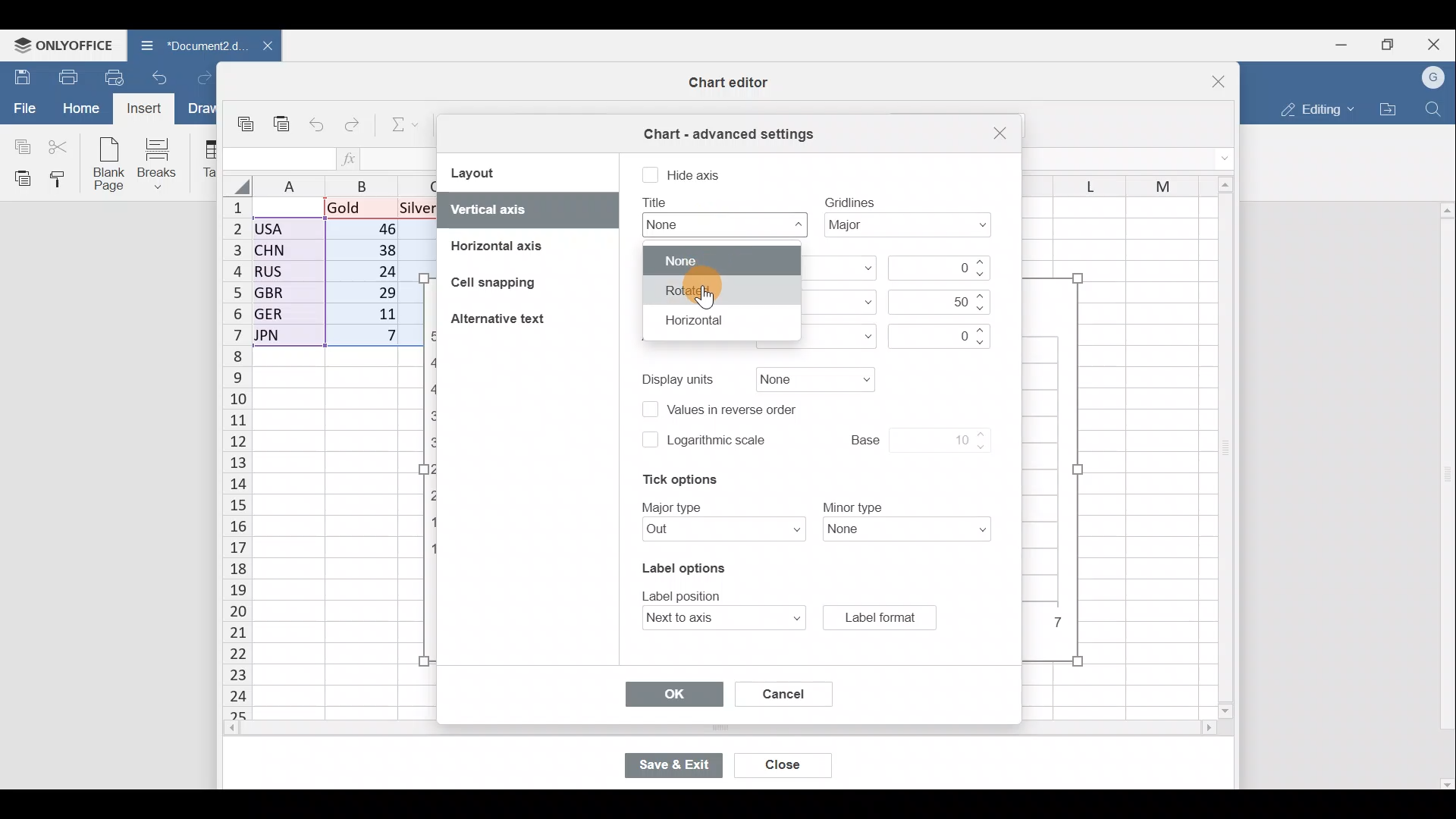 This screenshot has height=819, width=1456. Describe the element at coordinates (1110, 180) in the screenshot. I see `Columns` at that location.